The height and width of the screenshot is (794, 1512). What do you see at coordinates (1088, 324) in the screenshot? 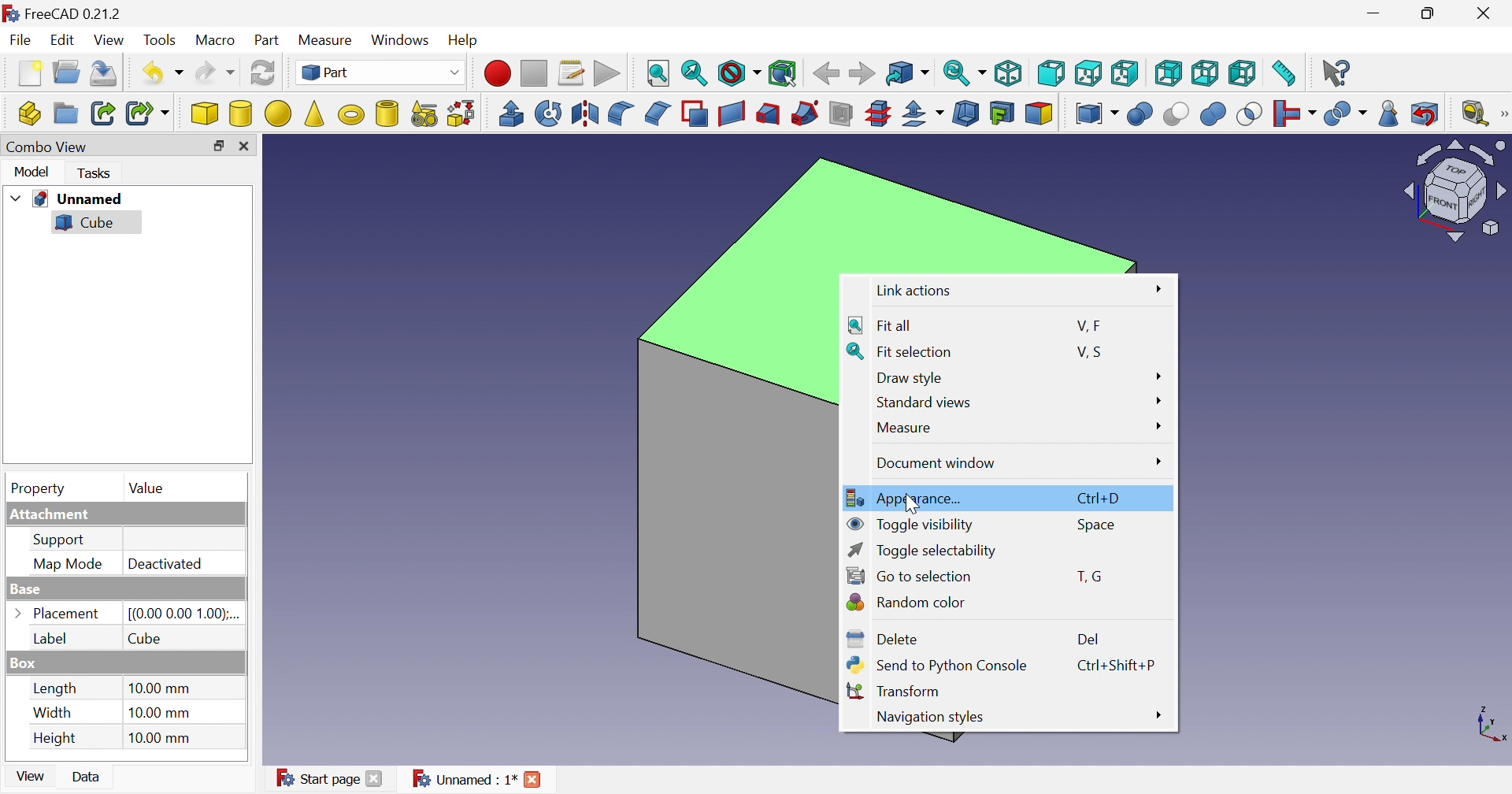
I see `V F` at bounding box center [1088, 324].